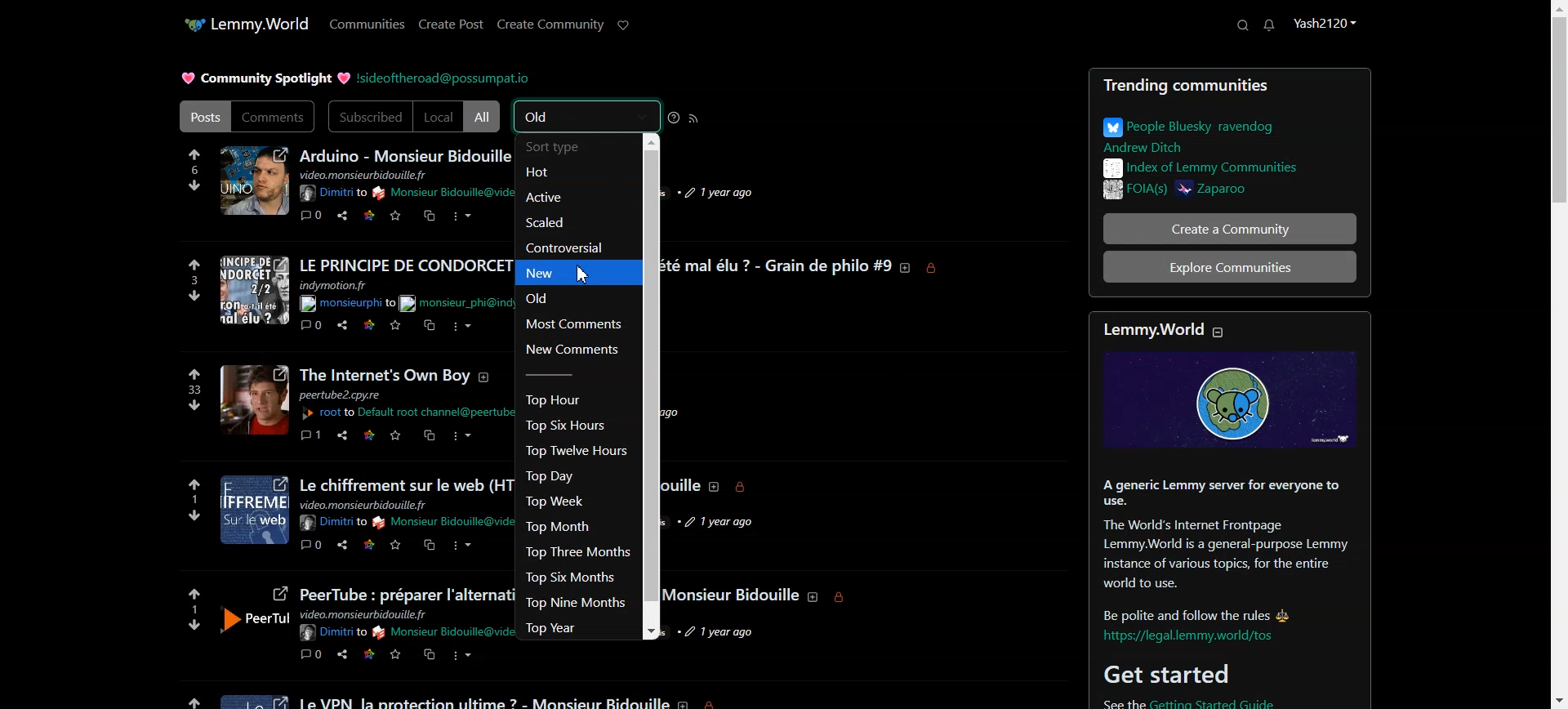  Describe the element at coordinates (571, 248) in the screenshot. I see `Controversial` at that location.